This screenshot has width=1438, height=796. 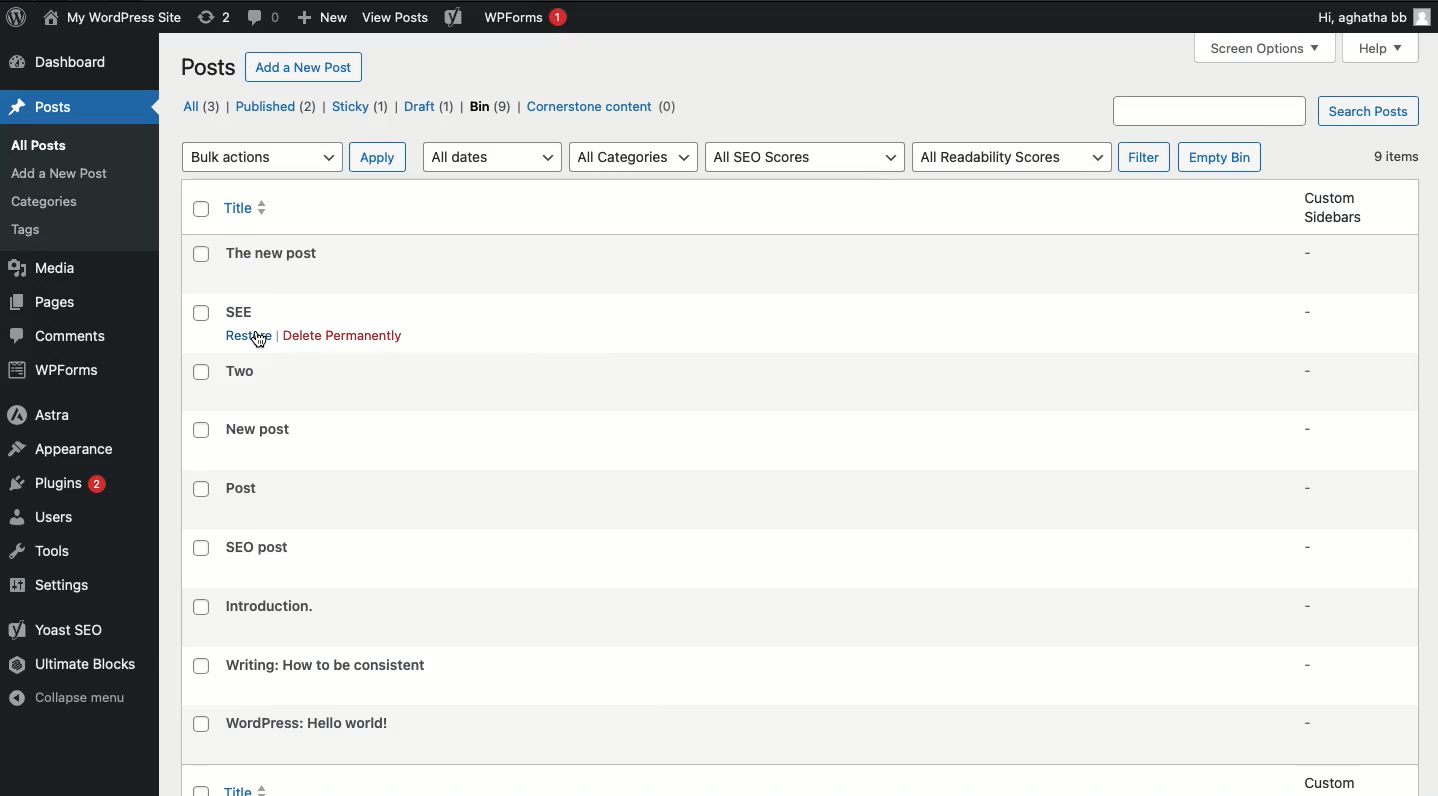 What do you see at coordinates (274, 253) in the screenshot?
I see `Title` at bounding box center [274, 253].